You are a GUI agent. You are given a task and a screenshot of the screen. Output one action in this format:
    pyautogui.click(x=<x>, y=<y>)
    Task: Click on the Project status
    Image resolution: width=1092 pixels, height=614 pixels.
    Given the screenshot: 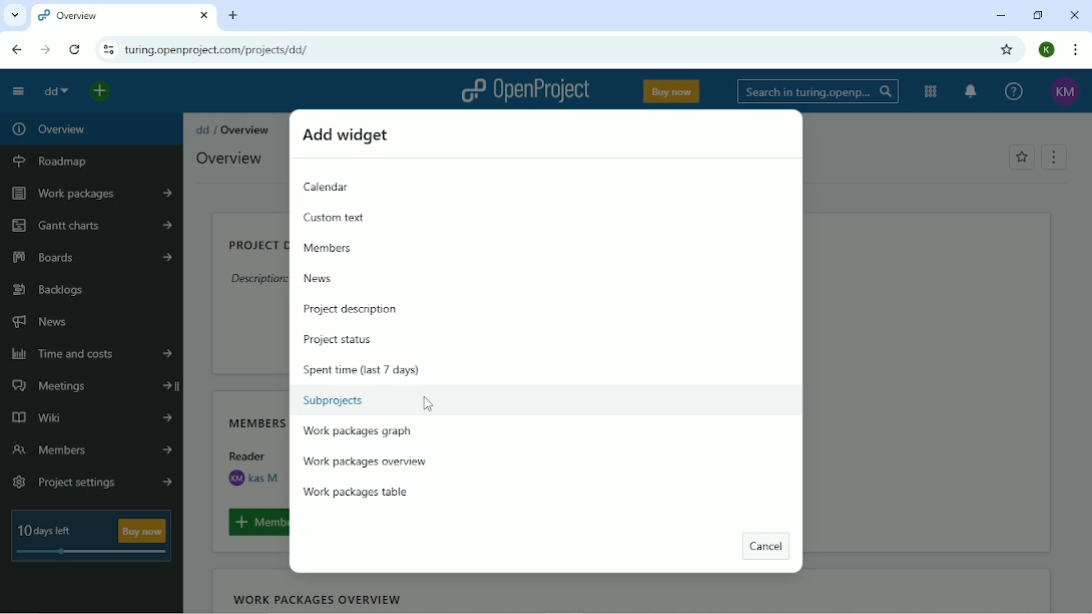 What is the action you would take?
    pyautogui.click(x=338, y=340)
    